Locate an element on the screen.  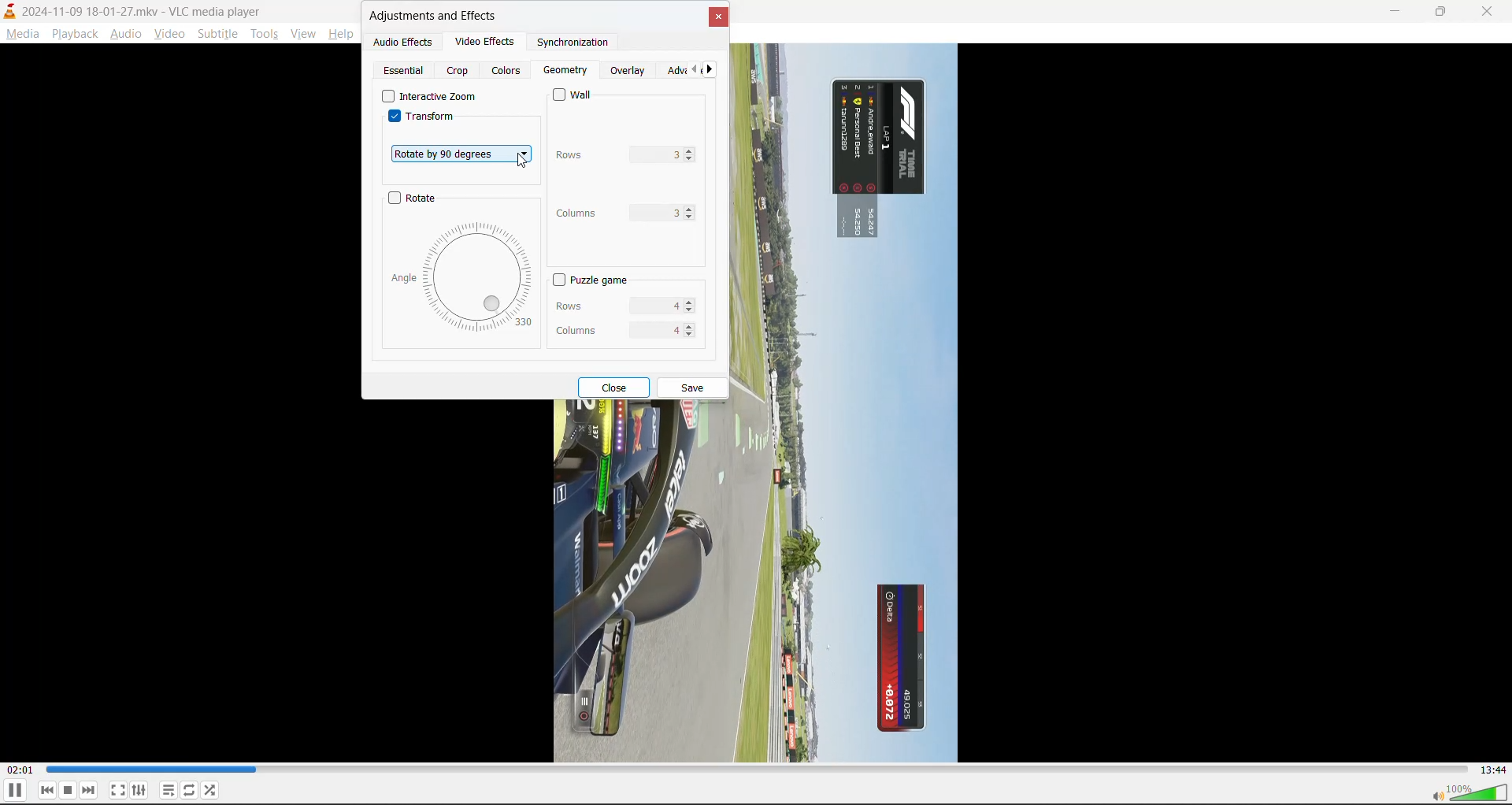
overlay is located at coordinates (630, 72).